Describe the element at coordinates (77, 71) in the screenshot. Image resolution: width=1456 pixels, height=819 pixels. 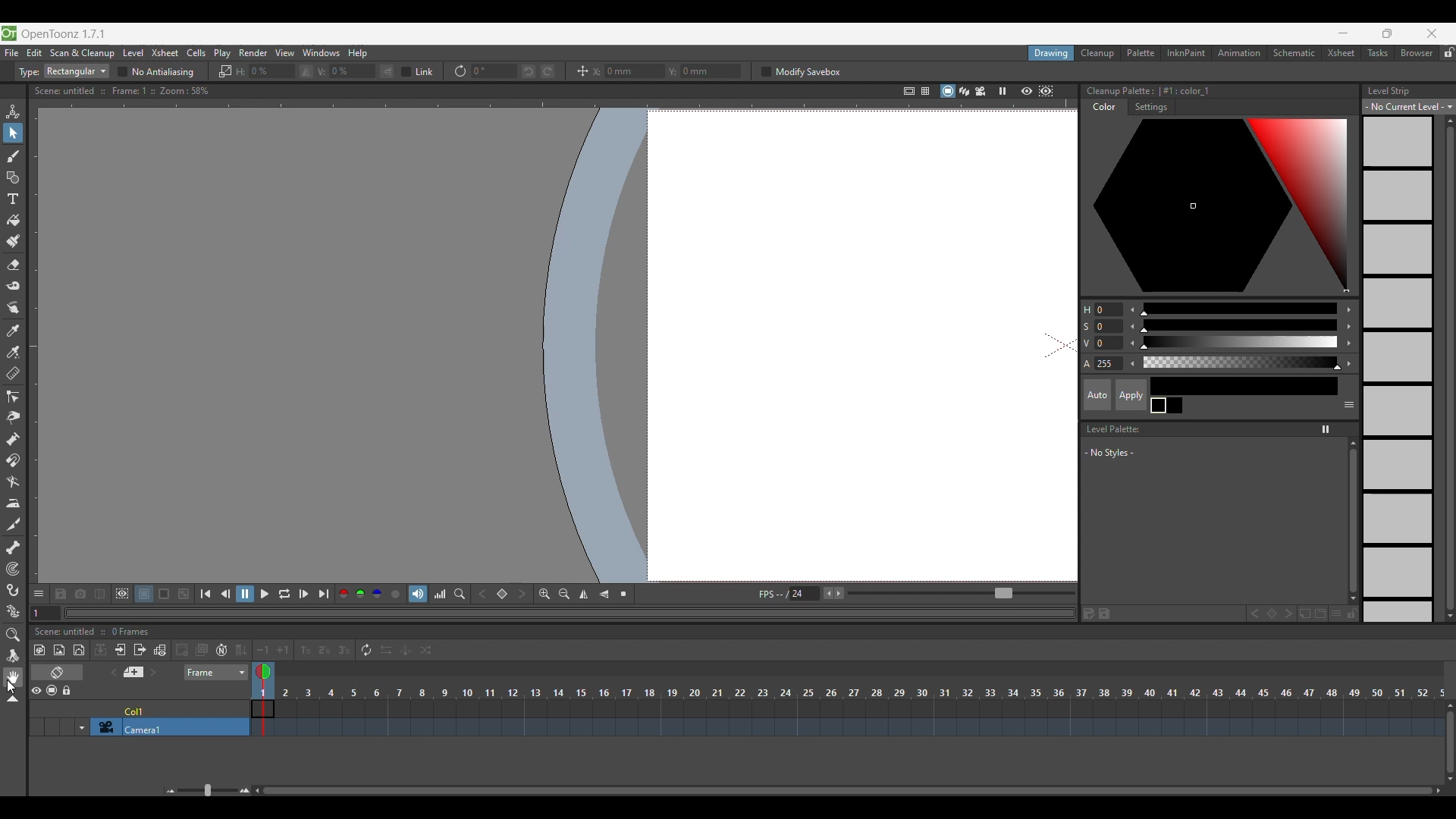
I see `Type options` at that location.